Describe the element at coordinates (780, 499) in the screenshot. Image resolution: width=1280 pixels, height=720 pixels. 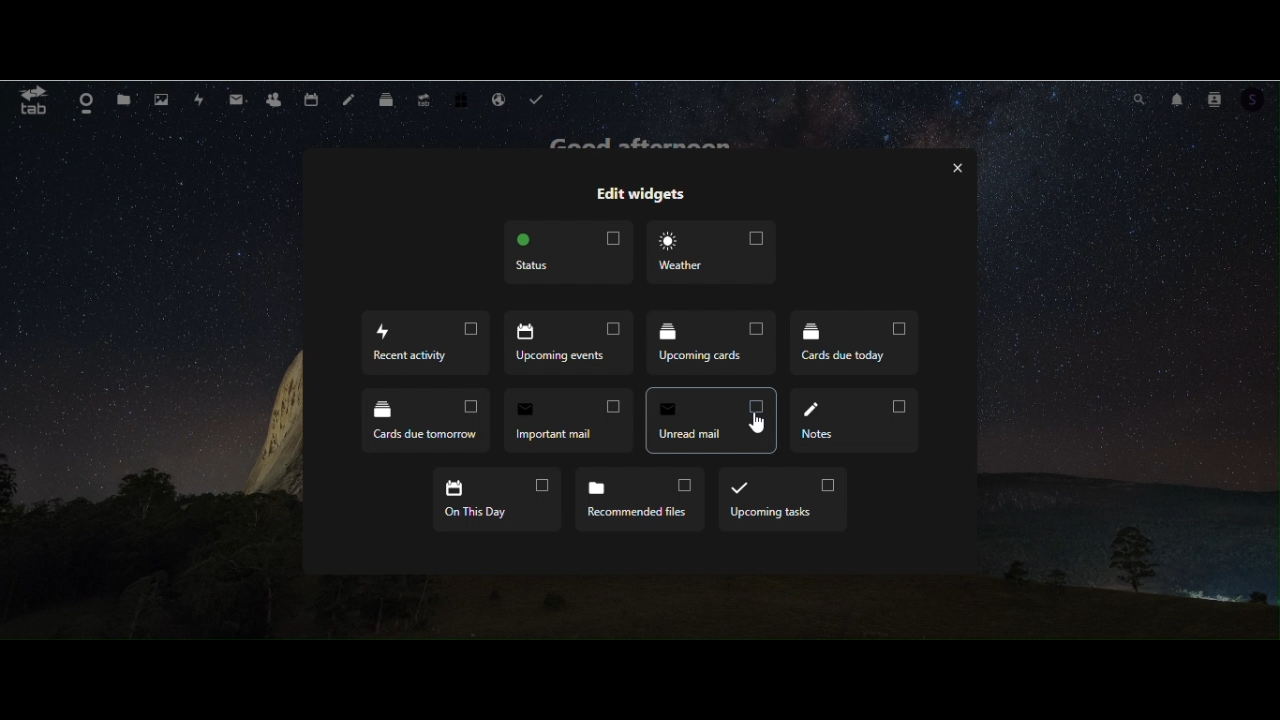
I see `Upcoming tasks` at that location.